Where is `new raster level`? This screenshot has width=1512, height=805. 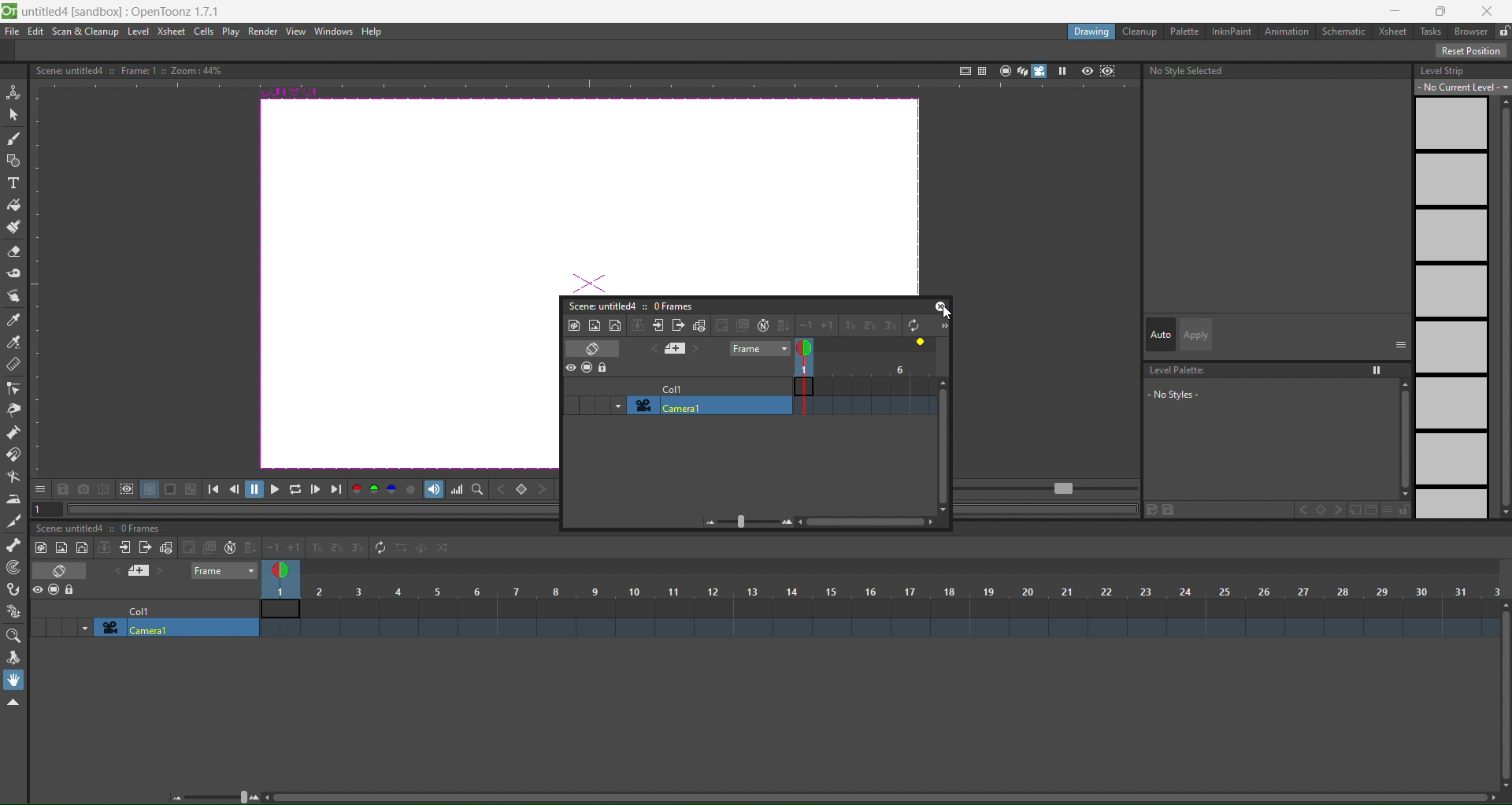
new raster level is located at coordinates (594, 324).